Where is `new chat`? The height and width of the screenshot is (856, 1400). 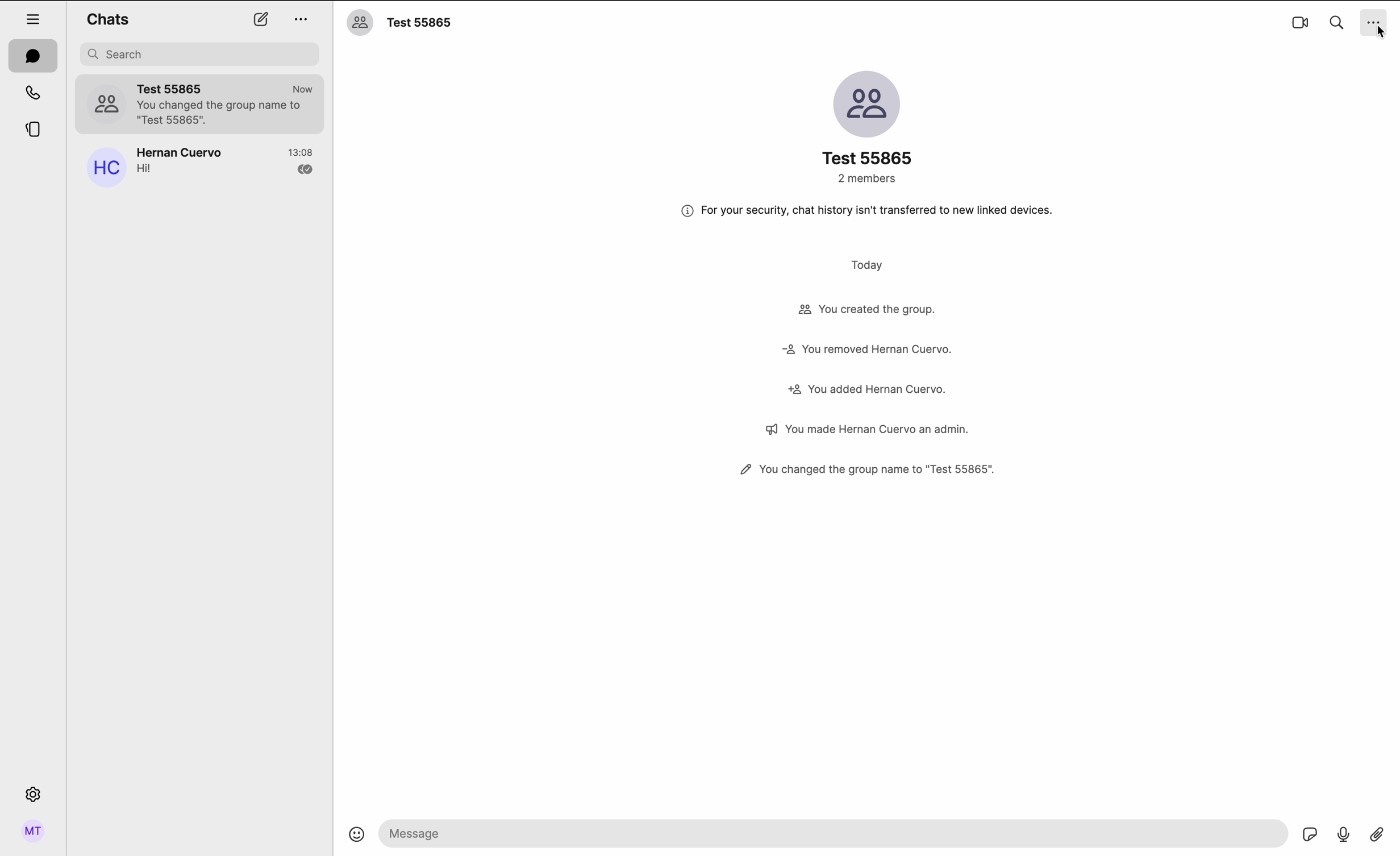 new chat is located at coordinates (261, 19).